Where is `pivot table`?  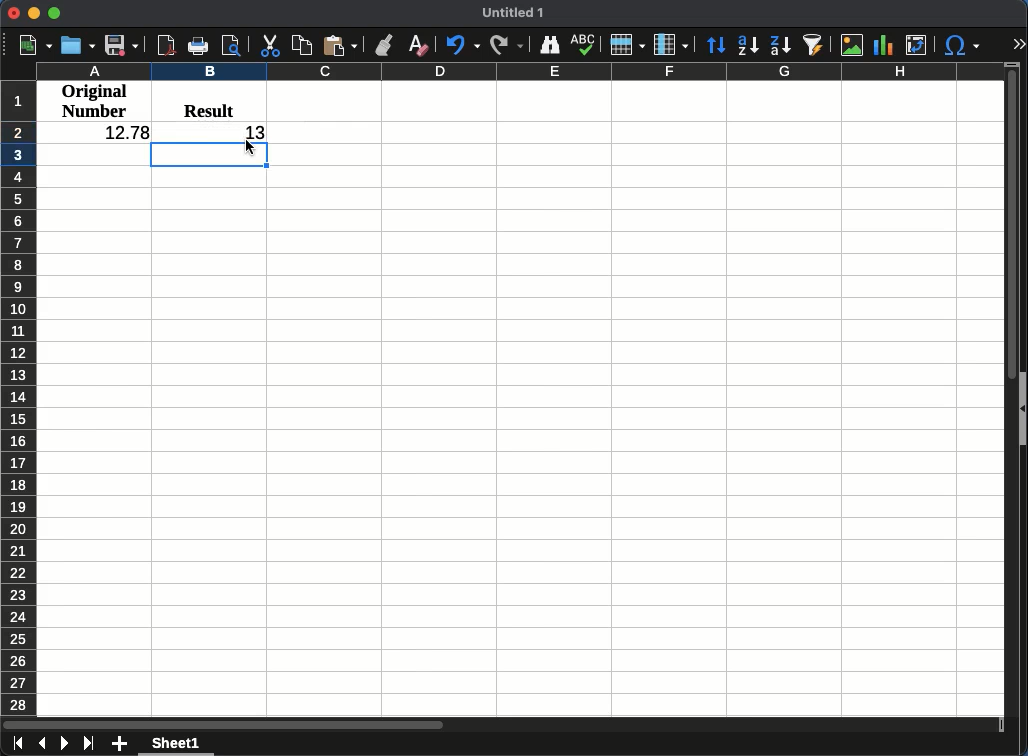
pivot table is located at coordinates (917, 44).